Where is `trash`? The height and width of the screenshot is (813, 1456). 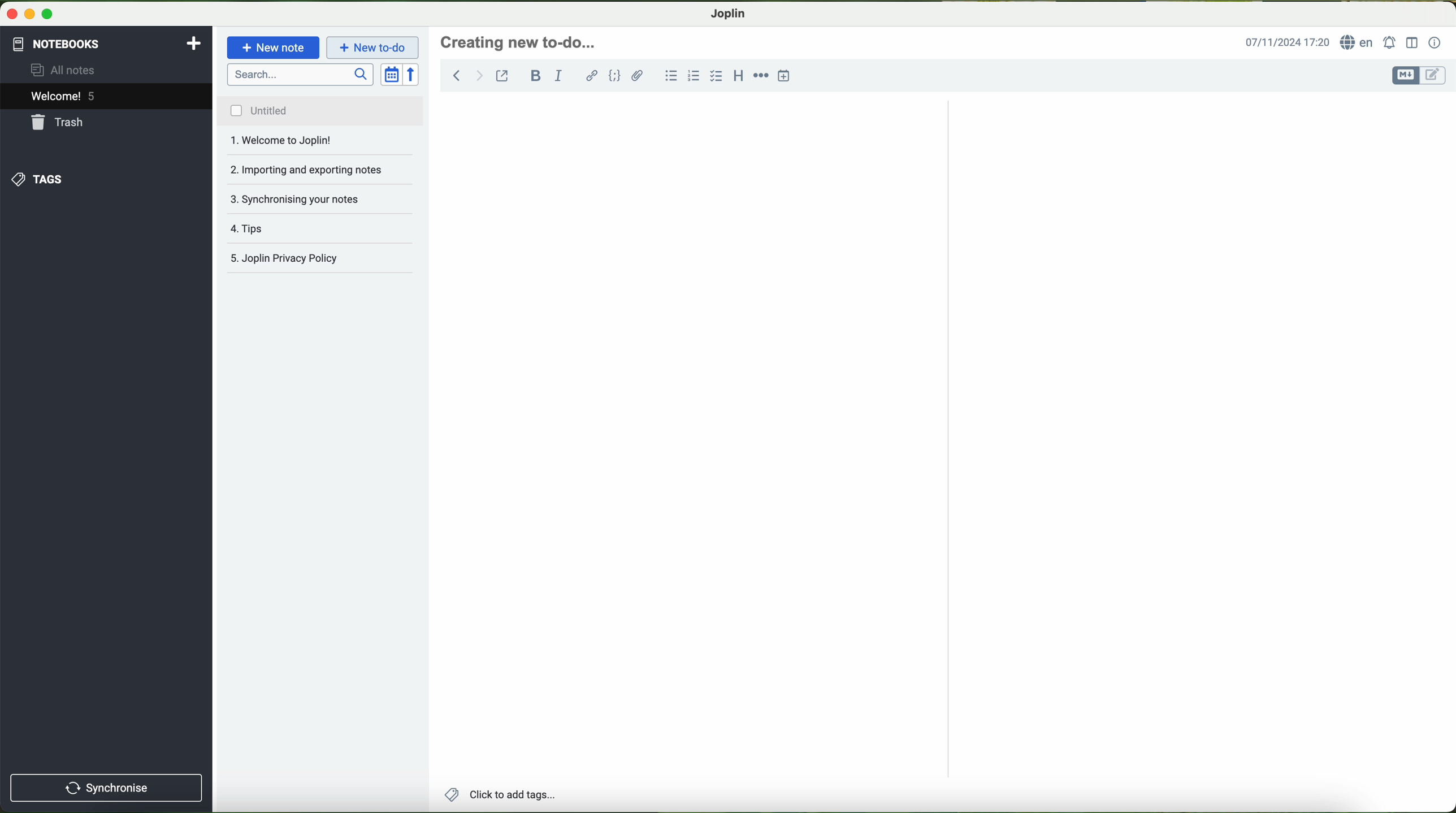
trash is located at coordinates (58, 124).